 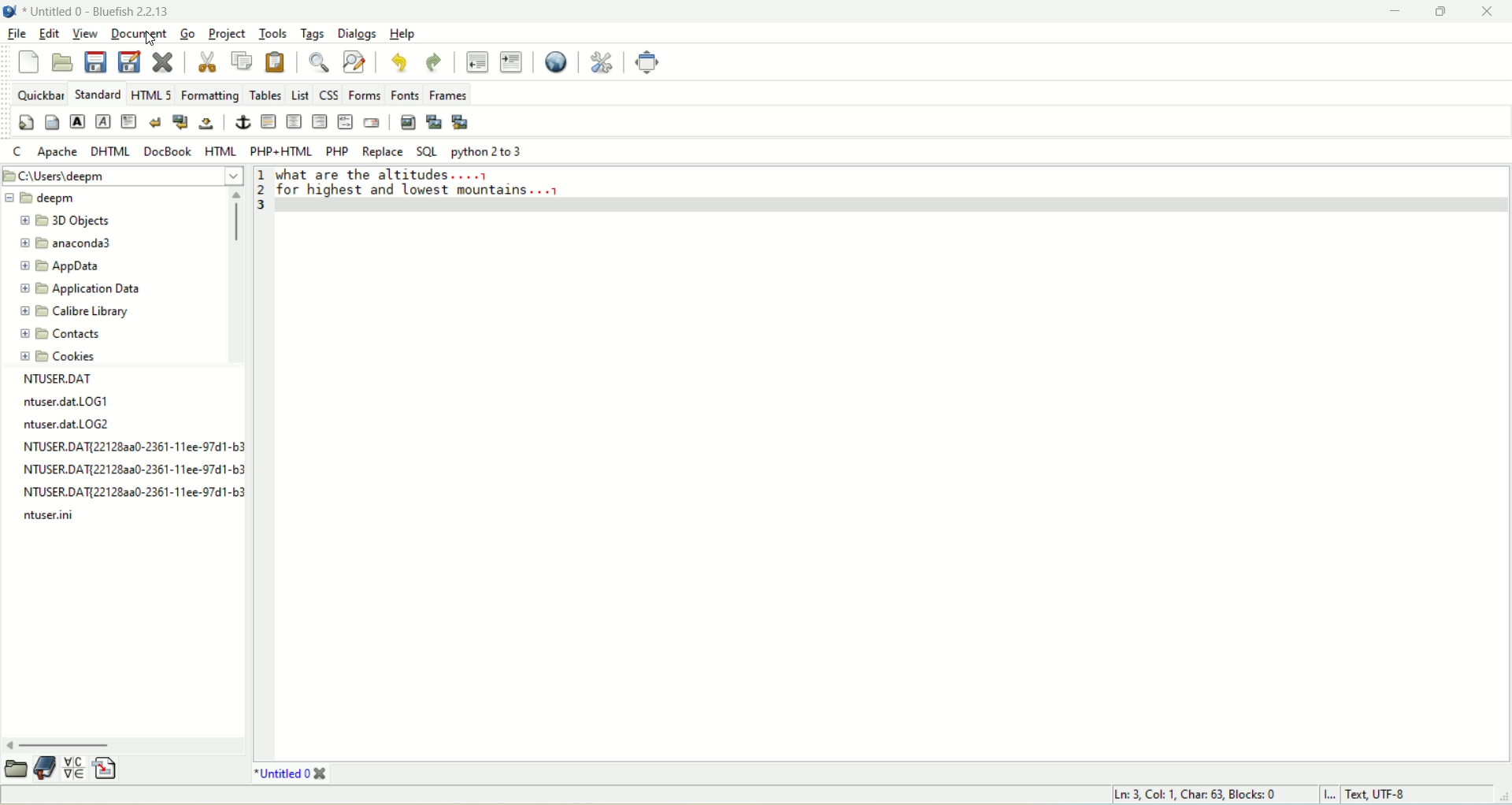 I want to click on center, so click(x=292, y=121).